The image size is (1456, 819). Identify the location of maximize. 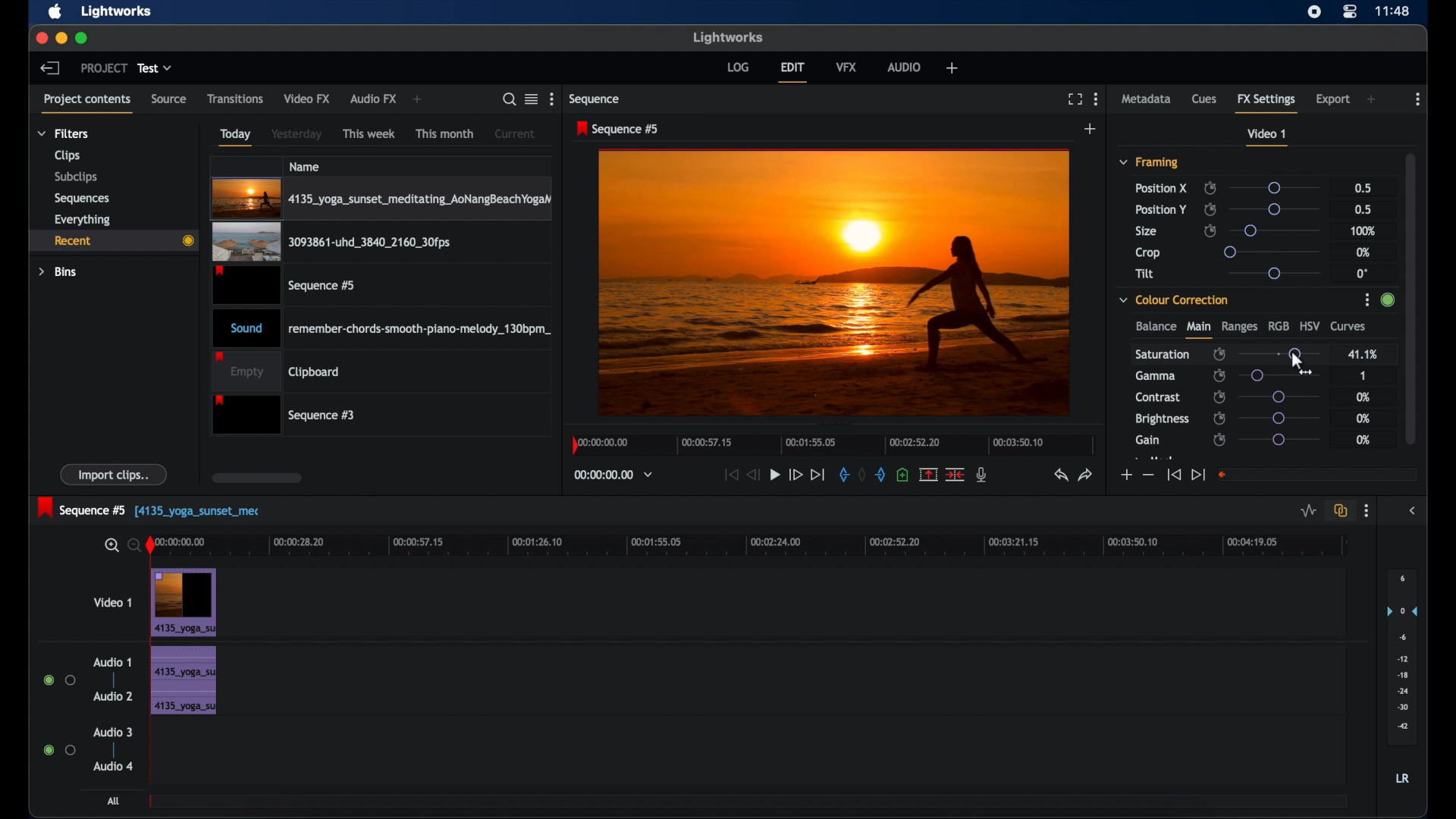
(82, 38).